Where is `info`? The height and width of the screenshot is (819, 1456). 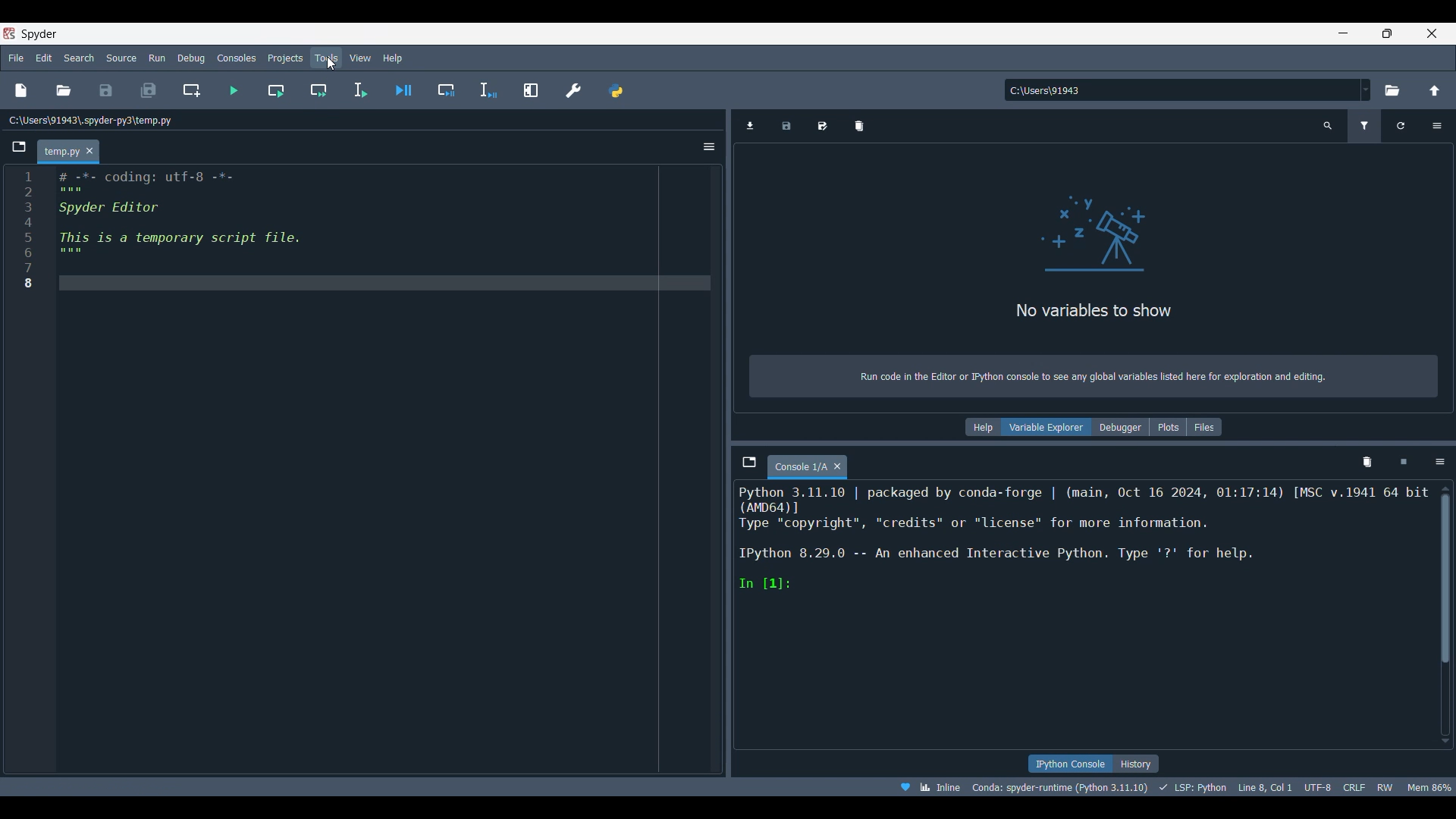
info is located at coordinates (1090, 378).